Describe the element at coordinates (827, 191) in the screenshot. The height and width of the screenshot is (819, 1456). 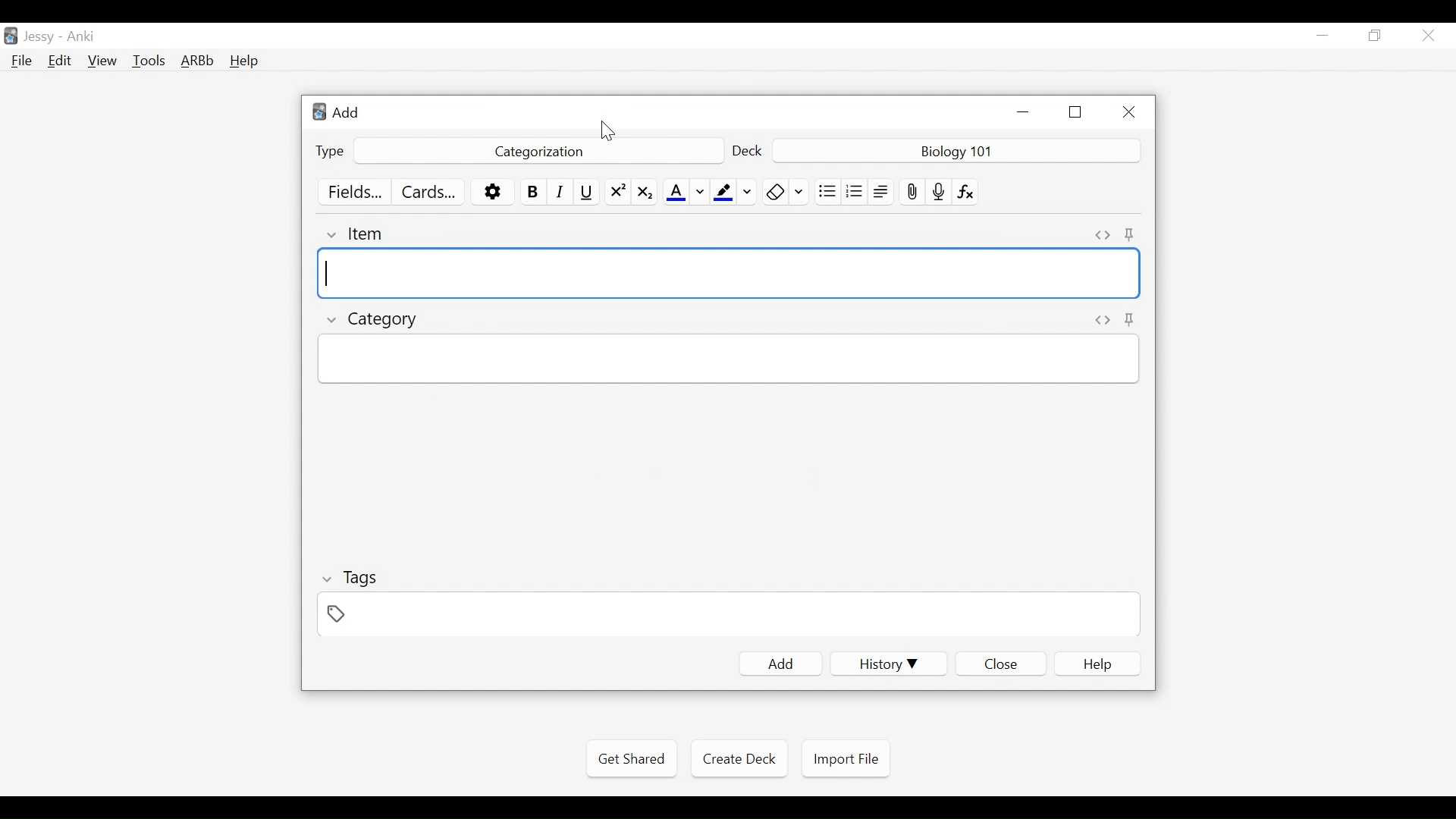
I see `Unordered list` at that location.